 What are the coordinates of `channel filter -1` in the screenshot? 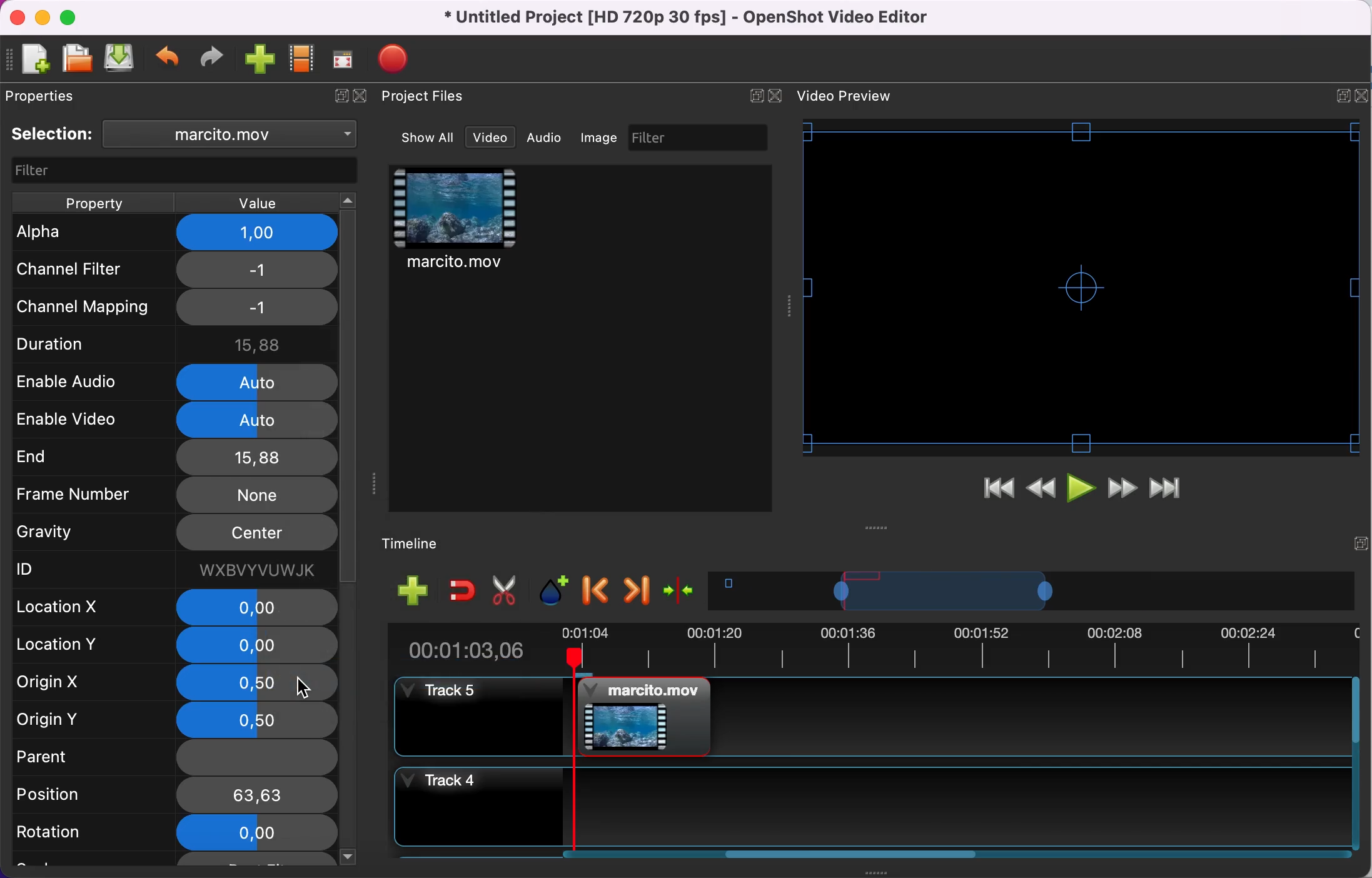 It's located at (171, 269).